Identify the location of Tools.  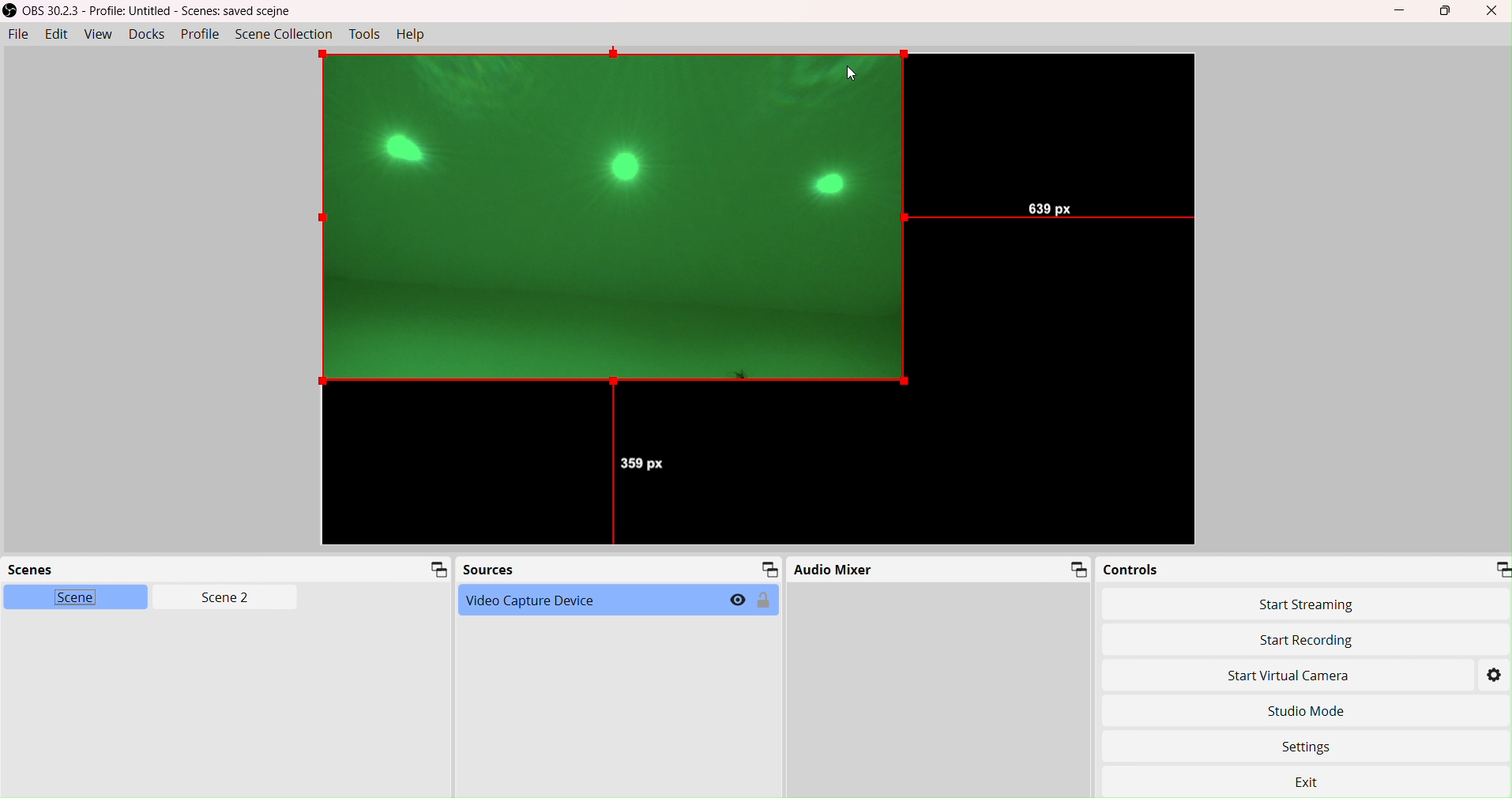
(366, 35).